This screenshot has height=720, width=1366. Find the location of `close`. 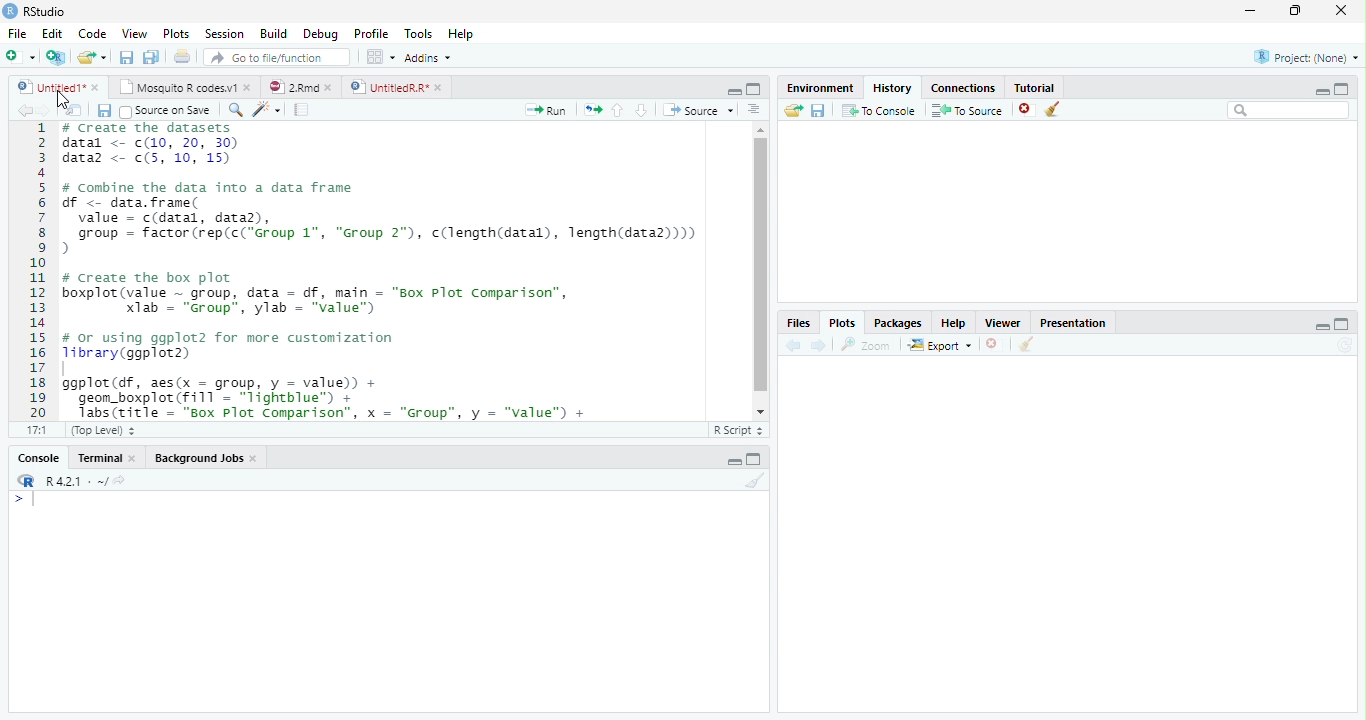

close is located at coordinates (254, 458).